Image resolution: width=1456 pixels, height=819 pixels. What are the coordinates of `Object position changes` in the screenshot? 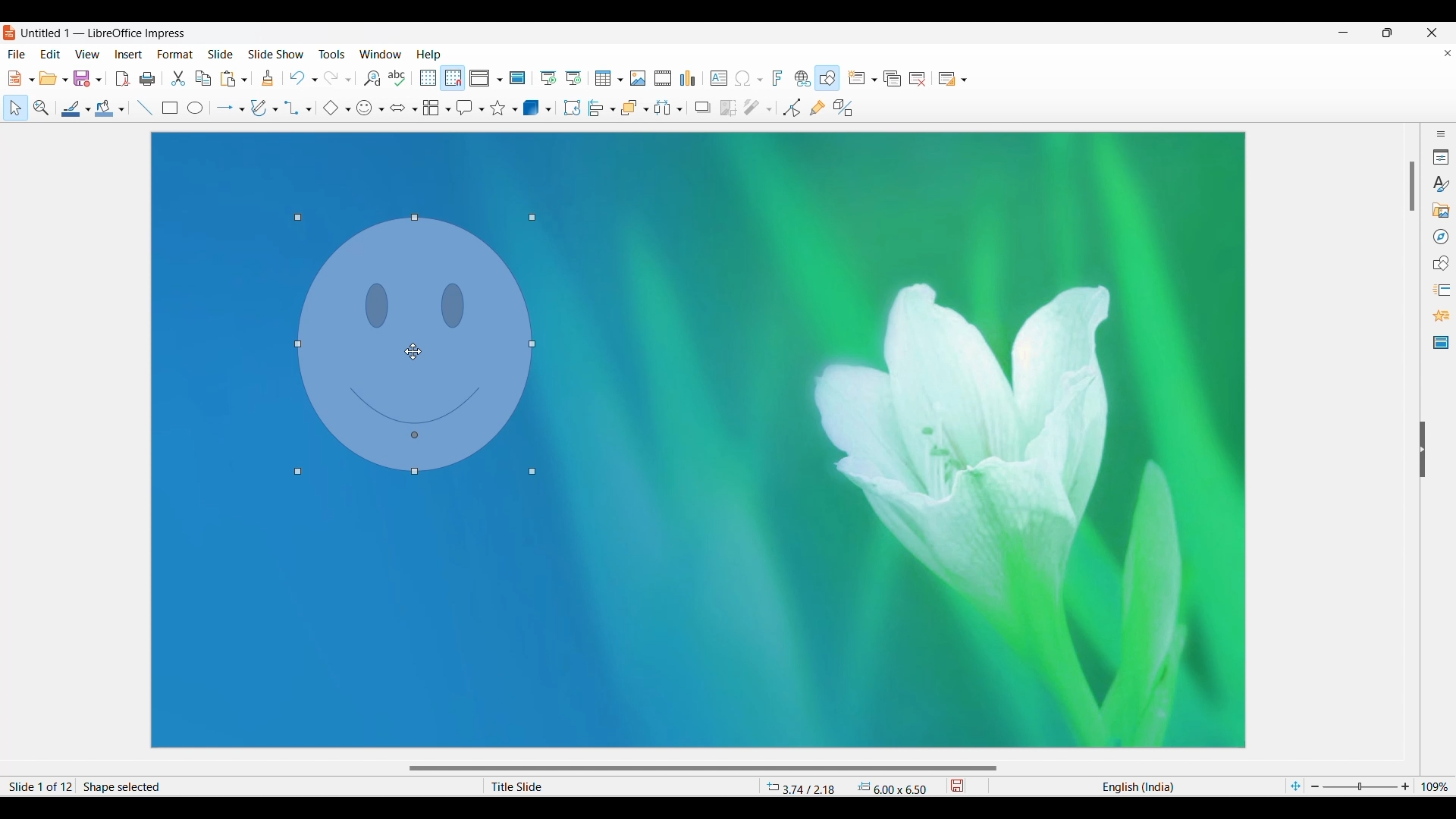 It's located at (416, 347).